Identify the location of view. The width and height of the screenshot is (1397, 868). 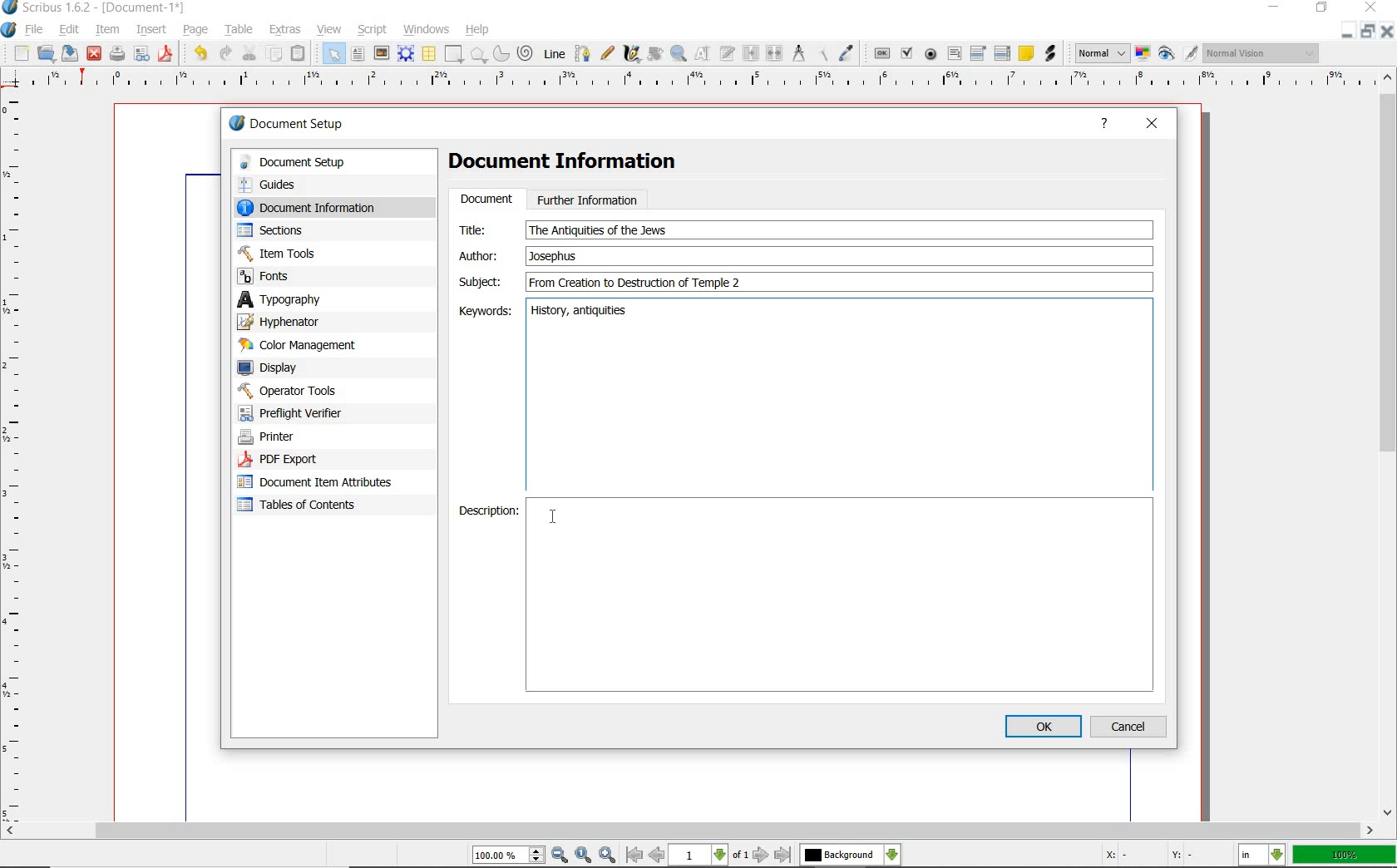
(328, 29).